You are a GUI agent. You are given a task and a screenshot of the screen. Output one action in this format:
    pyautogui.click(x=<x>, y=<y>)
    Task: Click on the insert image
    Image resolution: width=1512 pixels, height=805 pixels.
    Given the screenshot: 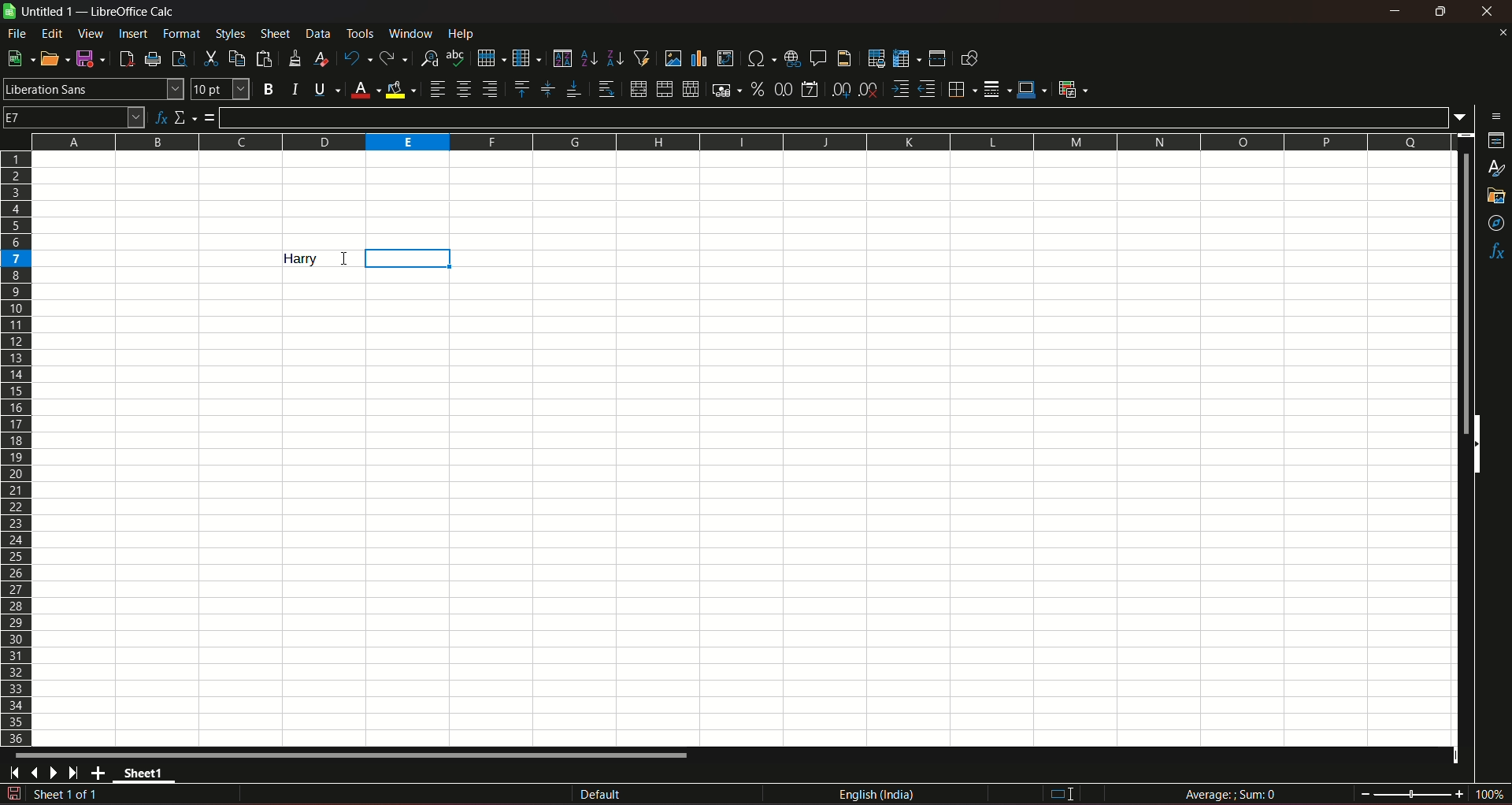 What is the action you would take?
    pyautogui.click(x=673, y=58)
    